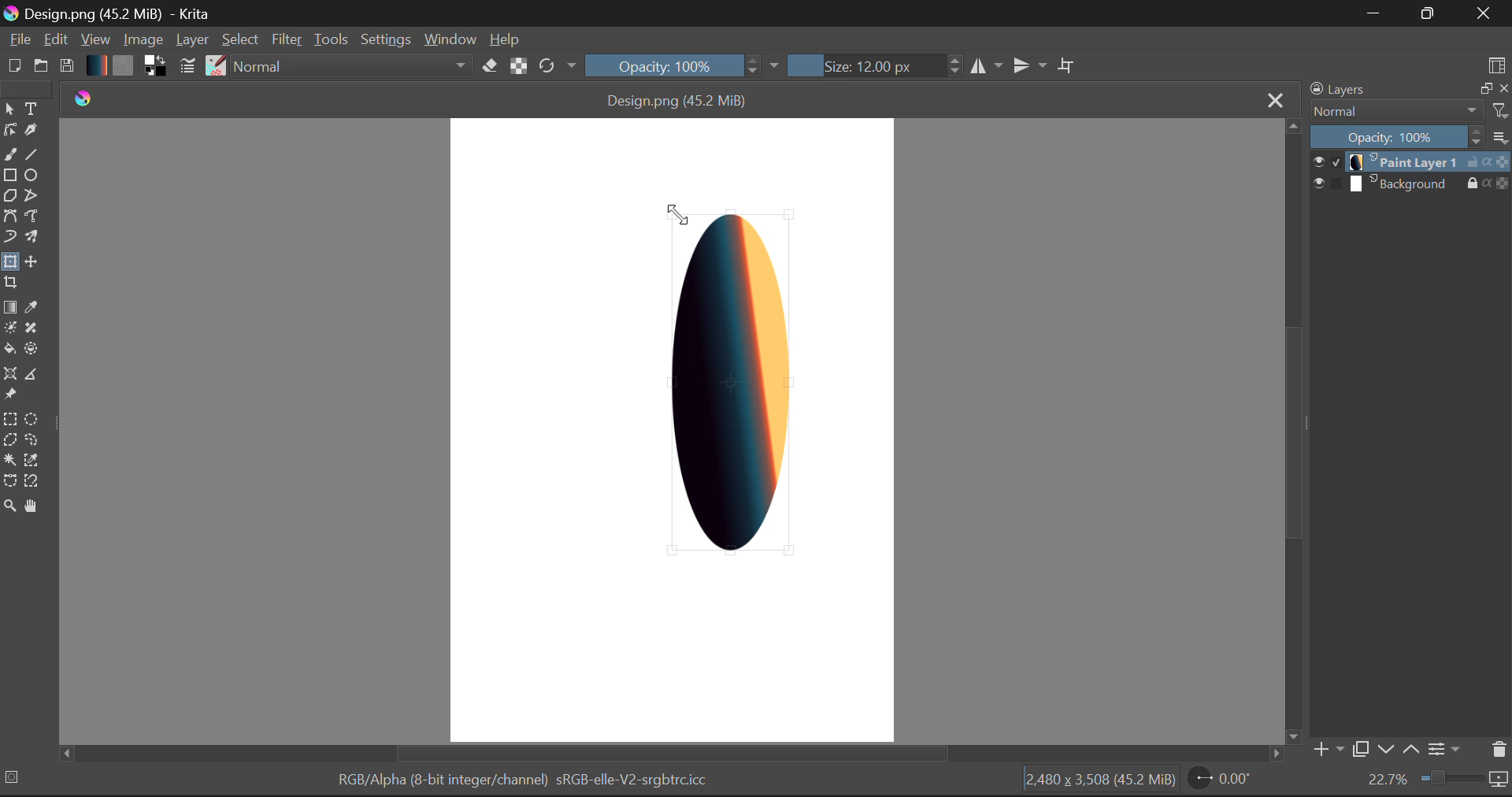  Describe the element at coordinates (32, 217) in the screenshot. I see `Freehand Path Tool` at that location.